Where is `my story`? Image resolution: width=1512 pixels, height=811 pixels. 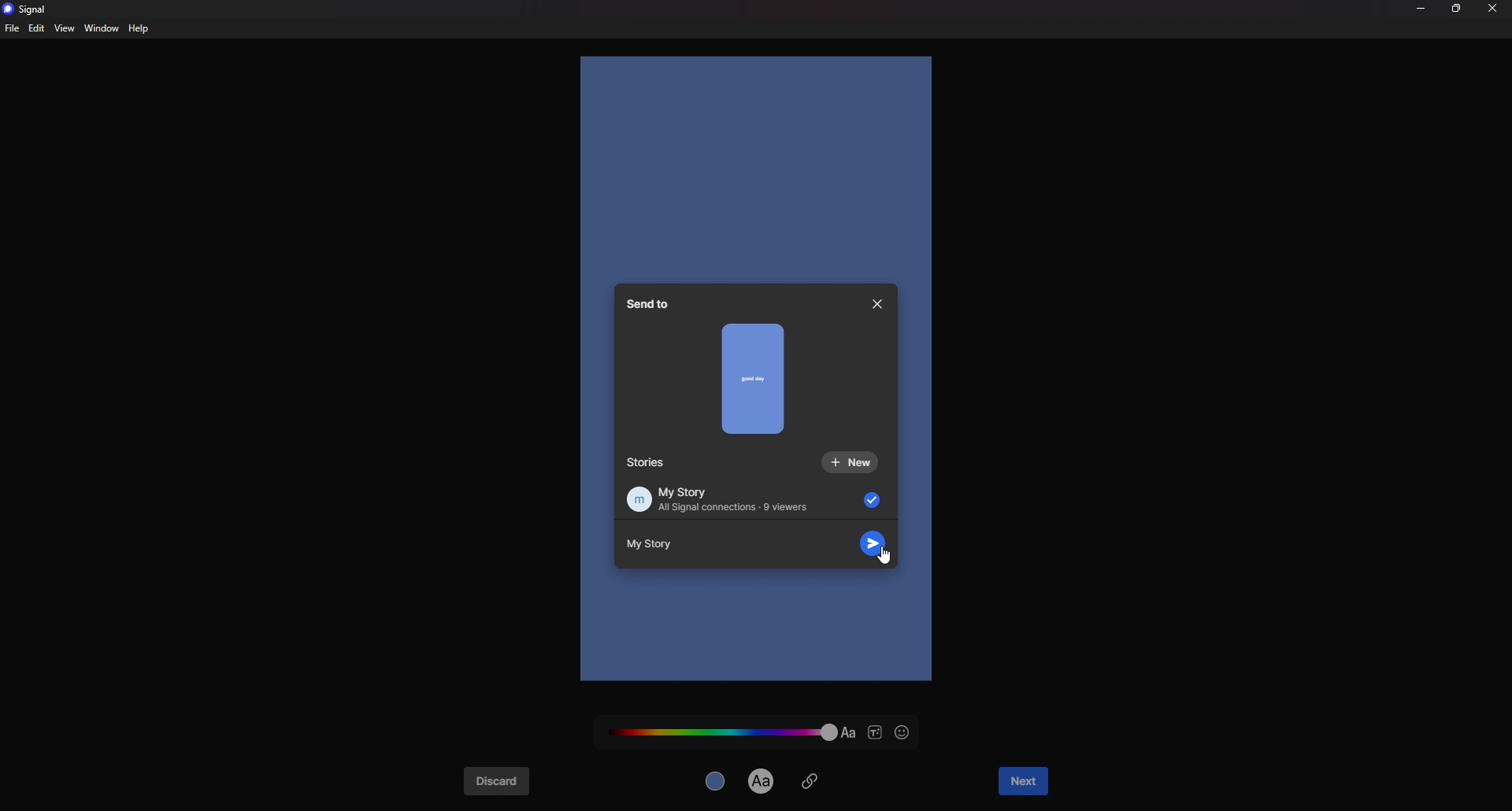 my story is located at coordinates (661, 545).